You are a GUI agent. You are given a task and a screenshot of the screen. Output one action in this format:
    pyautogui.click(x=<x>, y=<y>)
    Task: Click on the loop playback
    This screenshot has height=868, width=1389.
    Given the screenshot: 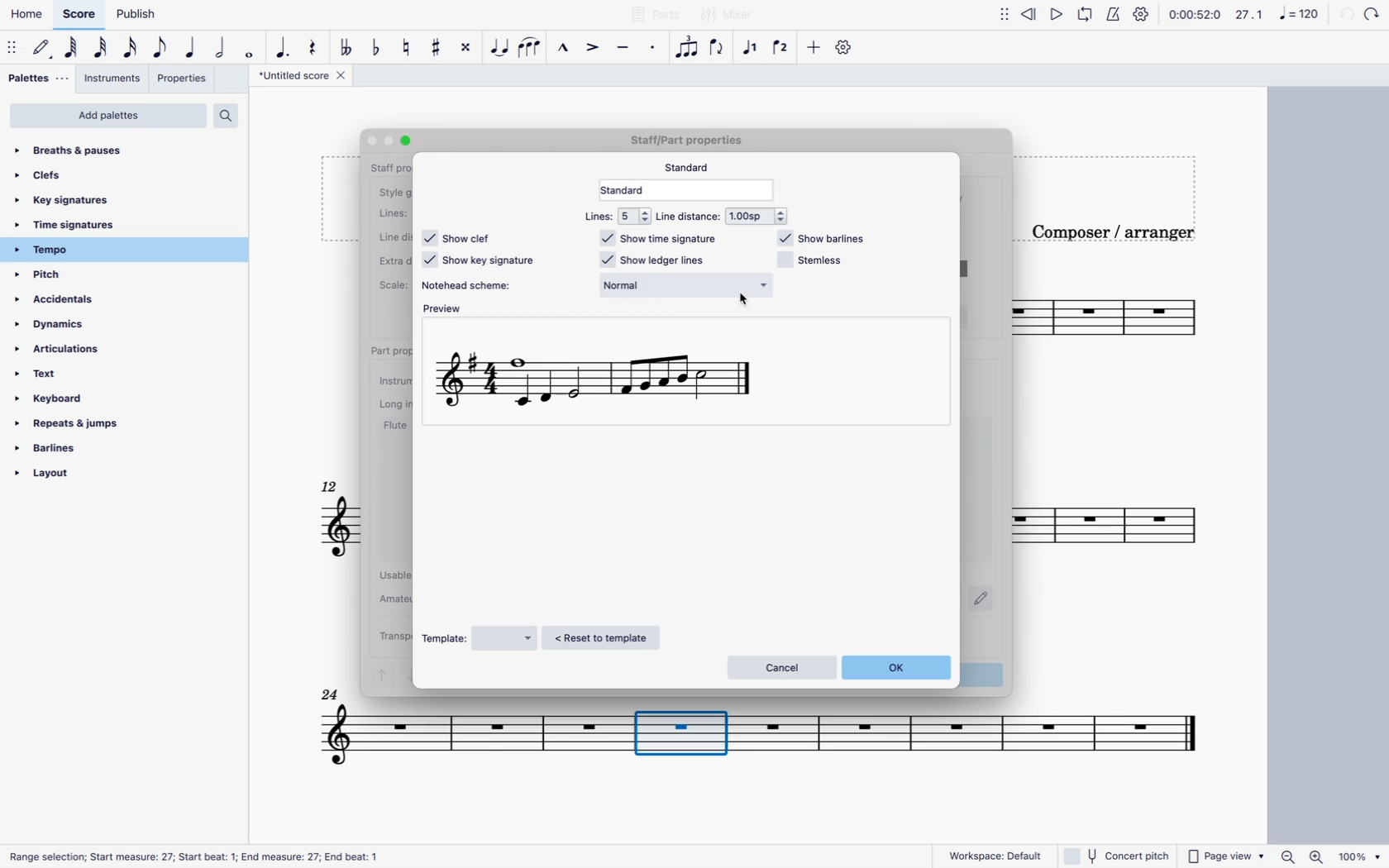 What is the action you would take?
    pyautogui.click(x=1086, y=13)
    